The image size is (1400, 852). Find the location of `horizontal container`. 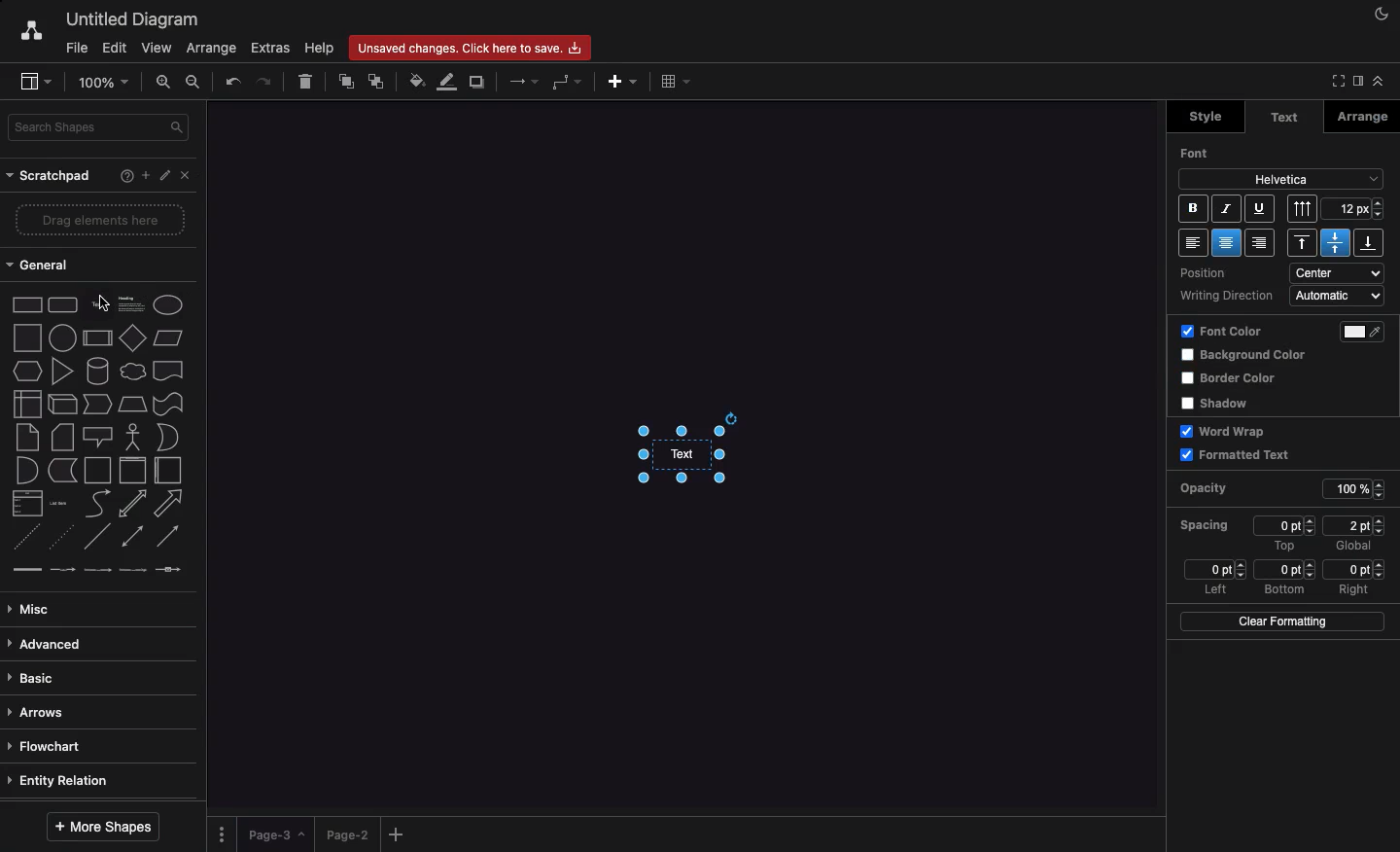

horizontal container is located at coordinates (168, 470).